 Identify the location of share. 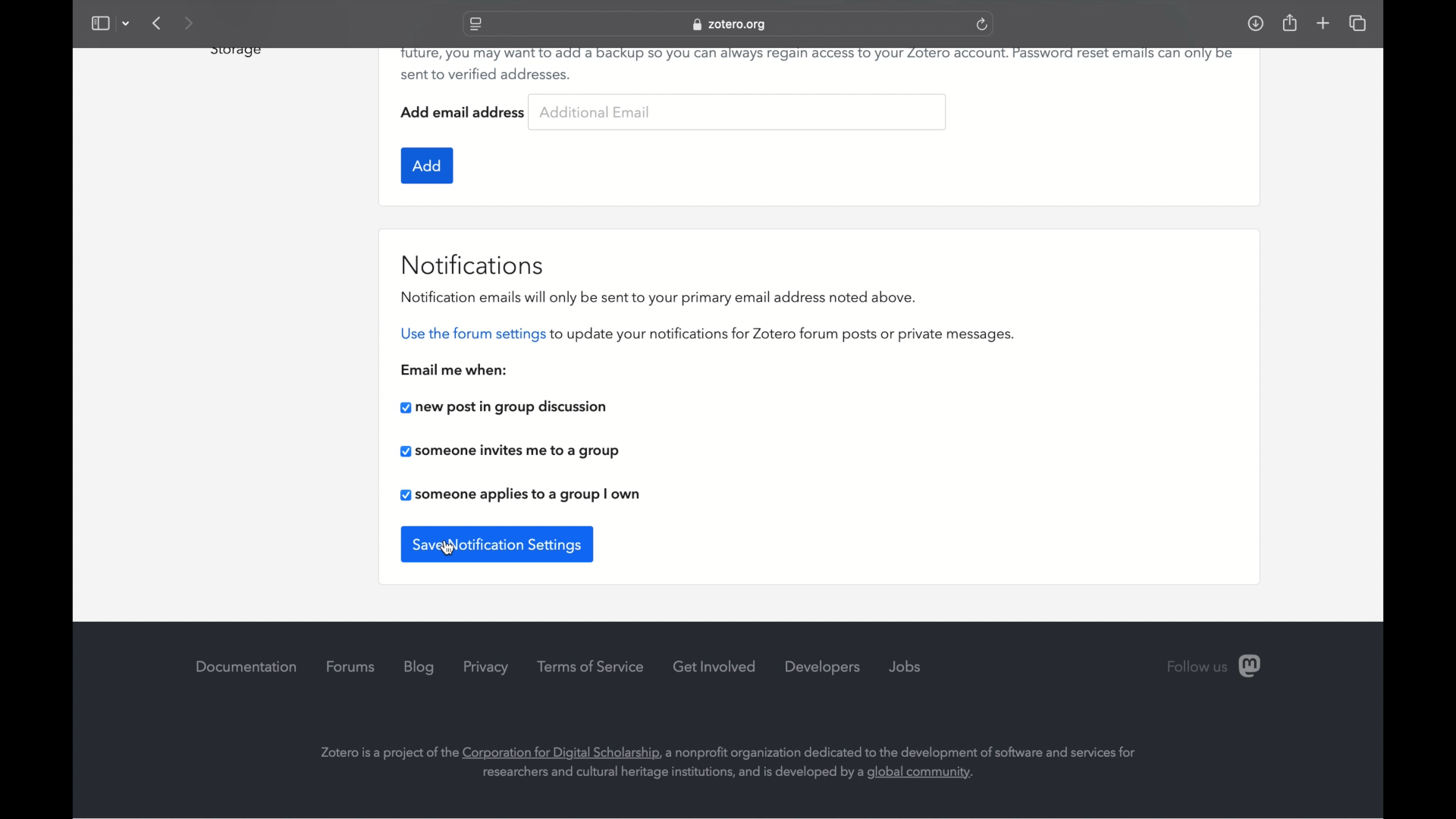
(1288, 22).